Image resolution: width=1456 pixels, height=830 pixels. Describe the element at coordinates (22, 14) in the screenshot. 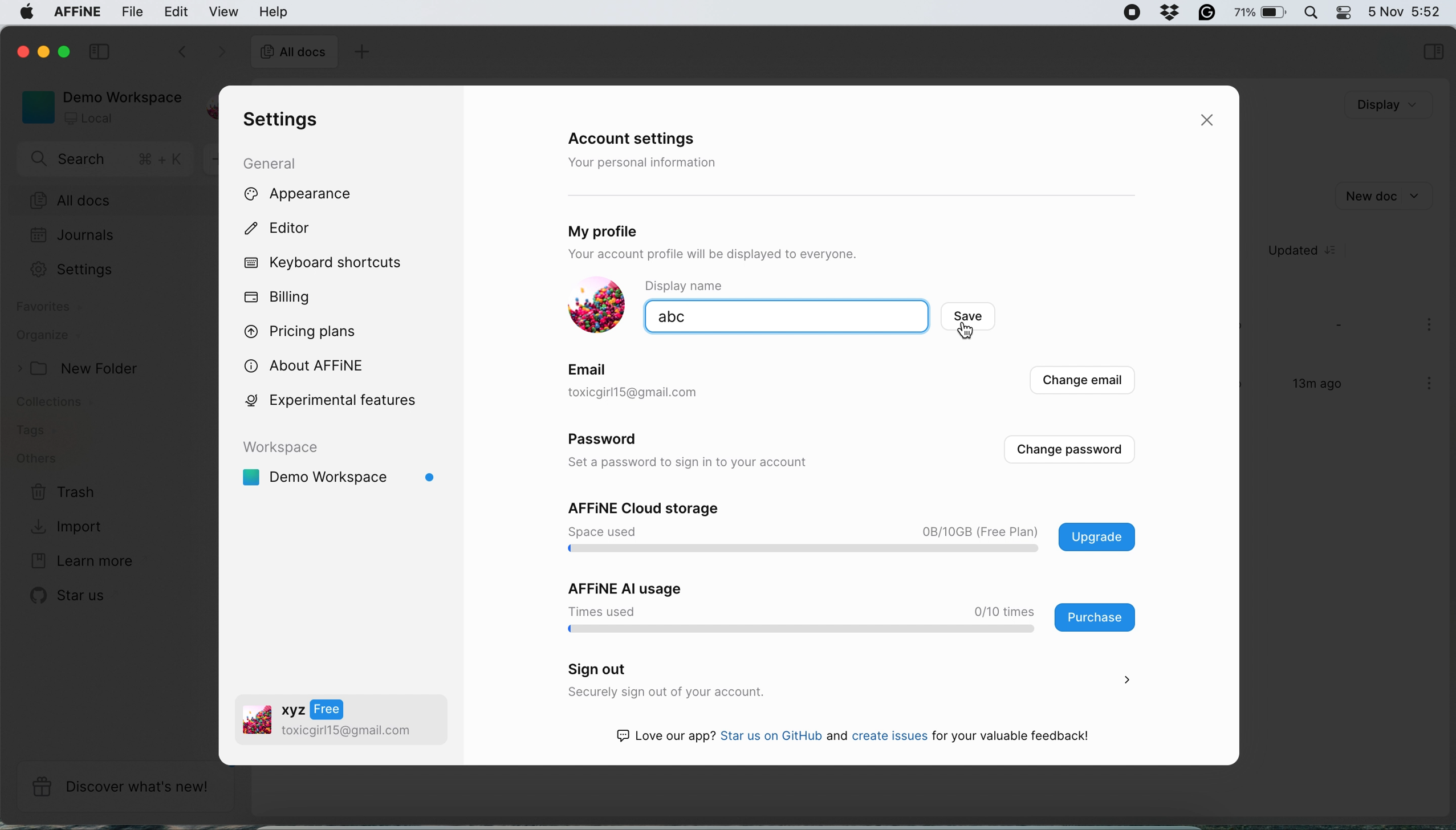

I see `system logo` at that location.